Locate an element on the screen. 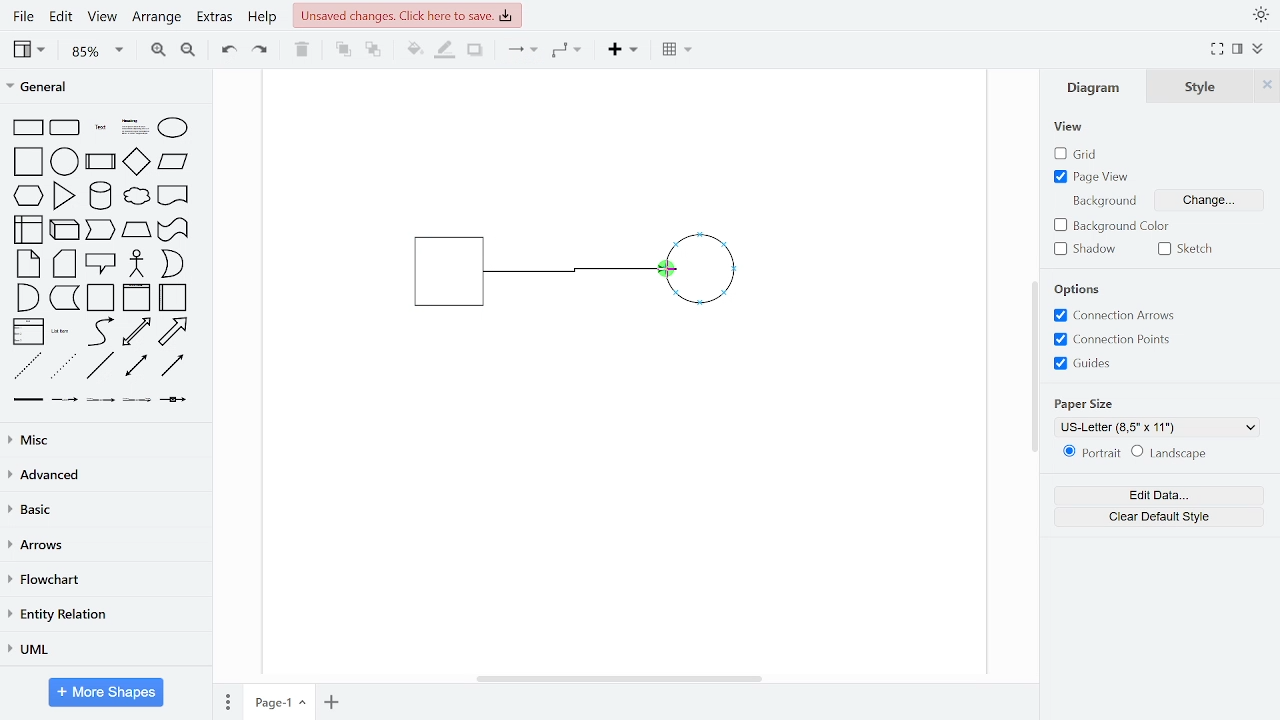 The image size is (1280, 720). add page is located at coordinates (332, 702).